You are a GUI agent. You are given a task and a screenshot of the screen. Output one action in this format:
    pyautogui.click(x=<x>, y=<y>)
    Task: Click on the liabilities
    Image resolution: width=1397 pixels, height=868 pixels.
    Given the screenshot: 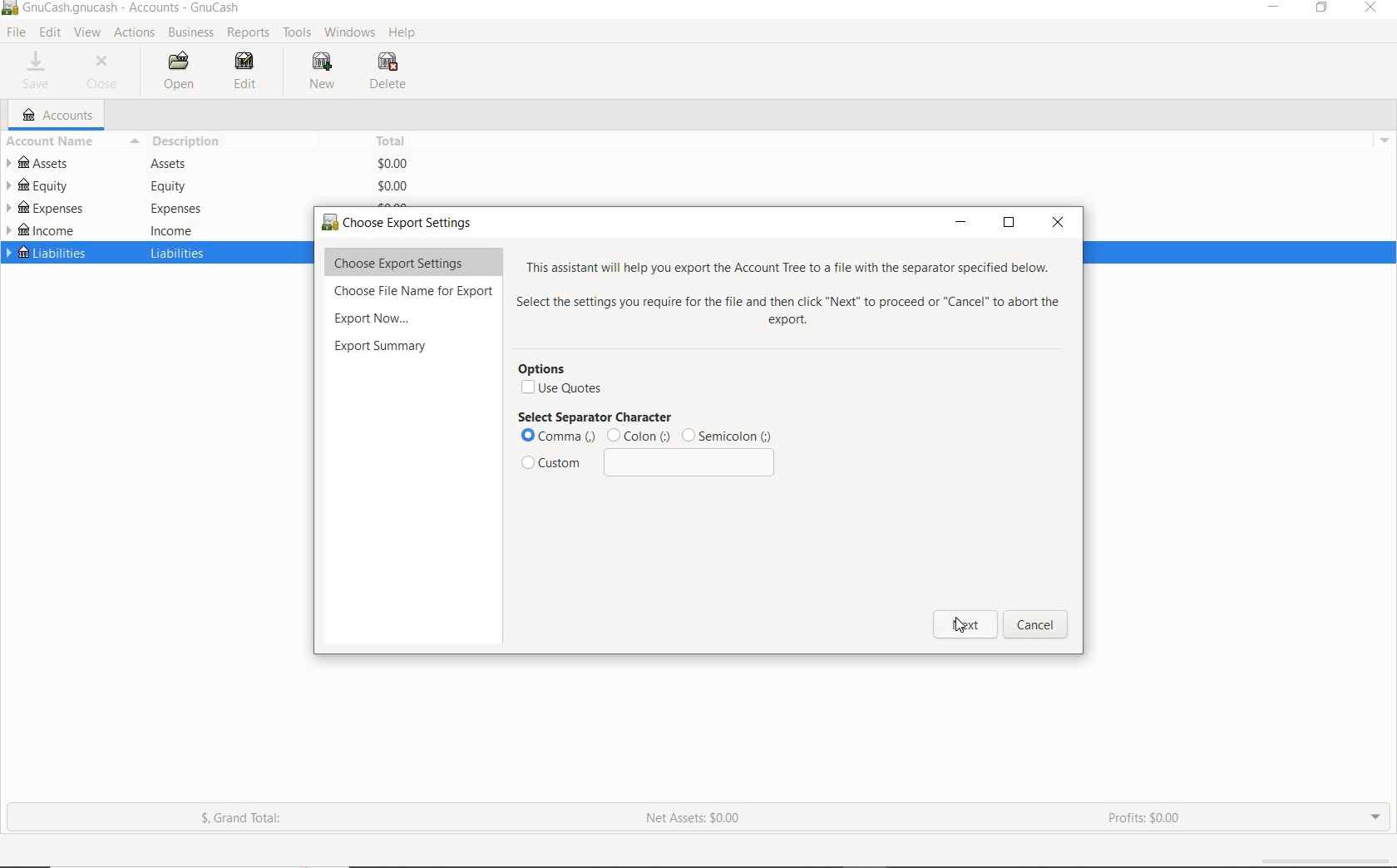 What is the action you would take?
    pyautogui.click(x=180, y=252)
    